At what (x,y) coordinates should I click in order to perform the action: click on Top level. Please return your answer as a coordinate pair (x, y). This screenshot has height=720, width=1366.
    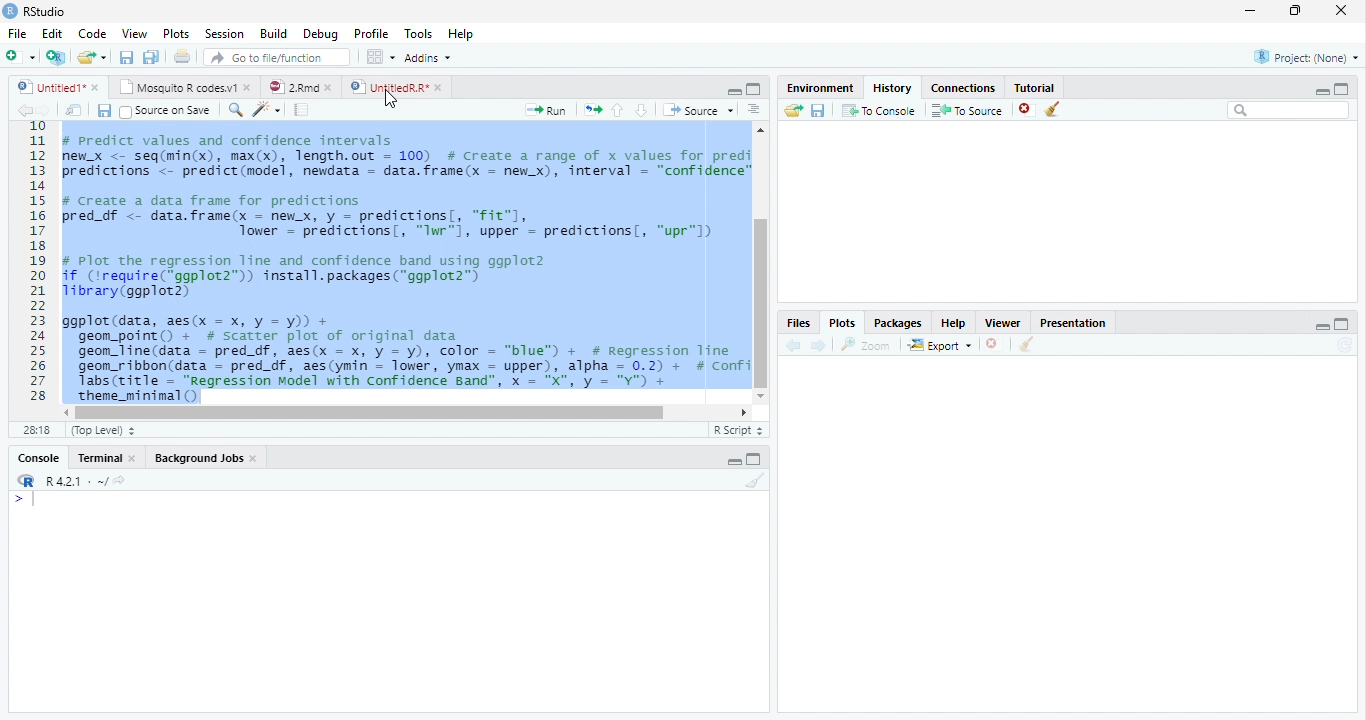
    Looking at the image, I should click on (102, 432).